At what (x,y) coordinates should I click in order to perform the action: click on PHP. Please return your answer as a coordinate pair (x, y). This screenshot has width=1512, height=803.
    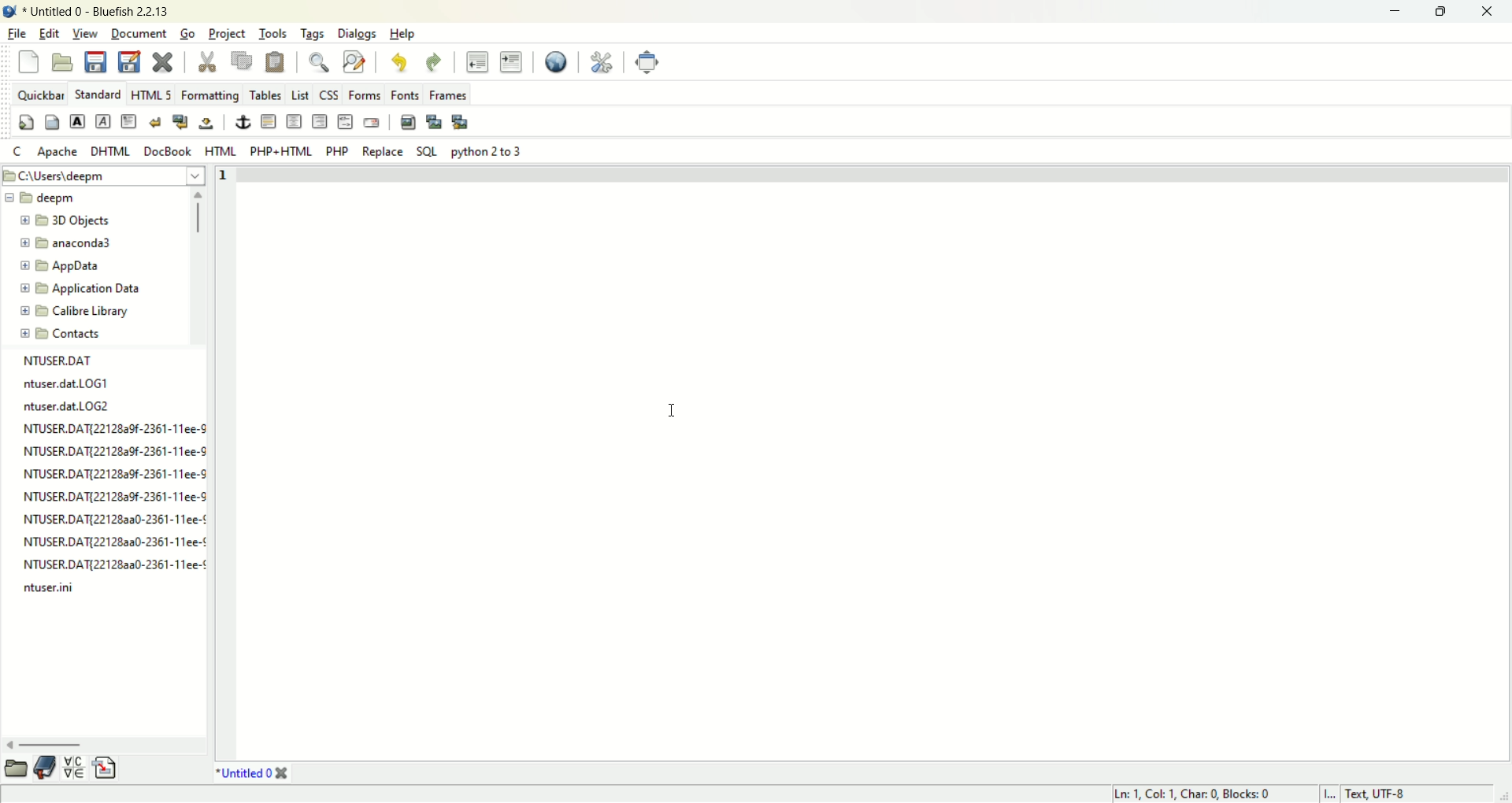
    Looking at the image, I should click on (337, 150).